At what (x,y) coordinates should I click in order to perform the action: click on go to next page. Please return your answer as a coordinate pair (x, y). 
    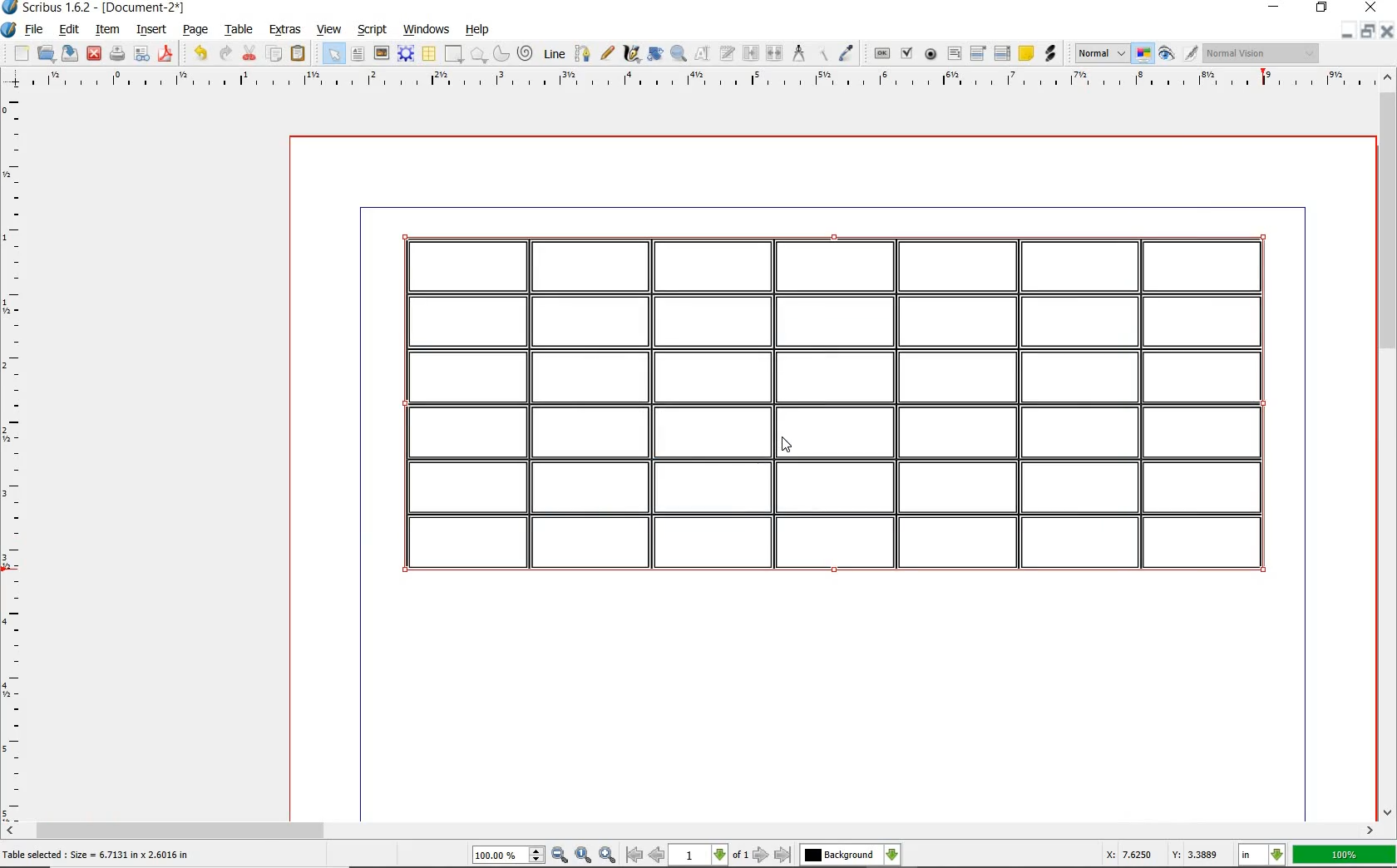
    Looking at the image, I should click on (762, 856).